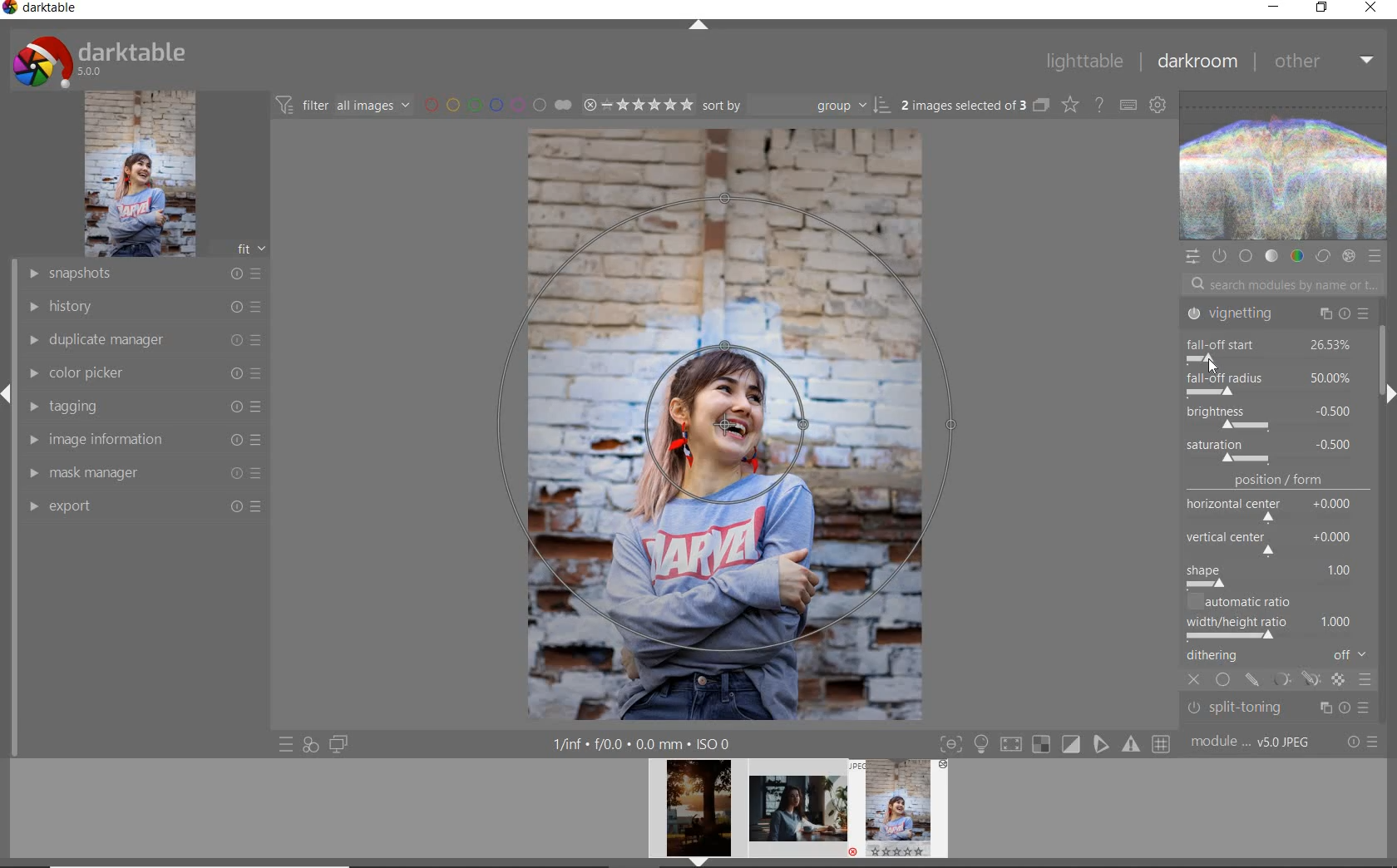  What do you see at coordinates (1348, 256) in the screenshot?
I see `effect` at bounding box center [1348, 256].